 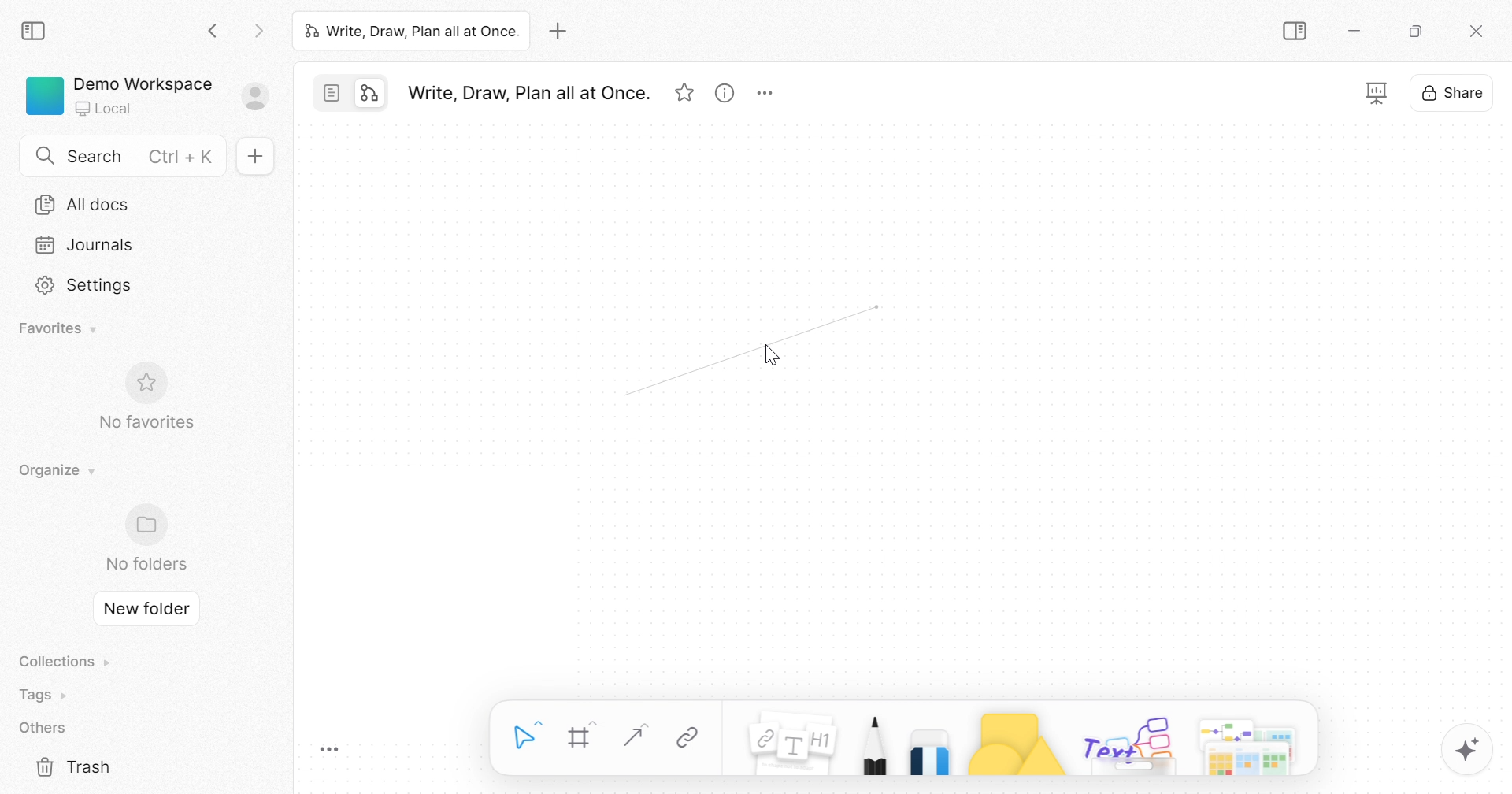 What do you see at coordinates (142, 82) in the screenshot?
I see `Demo Workspace` at bounding box center [142, 82].